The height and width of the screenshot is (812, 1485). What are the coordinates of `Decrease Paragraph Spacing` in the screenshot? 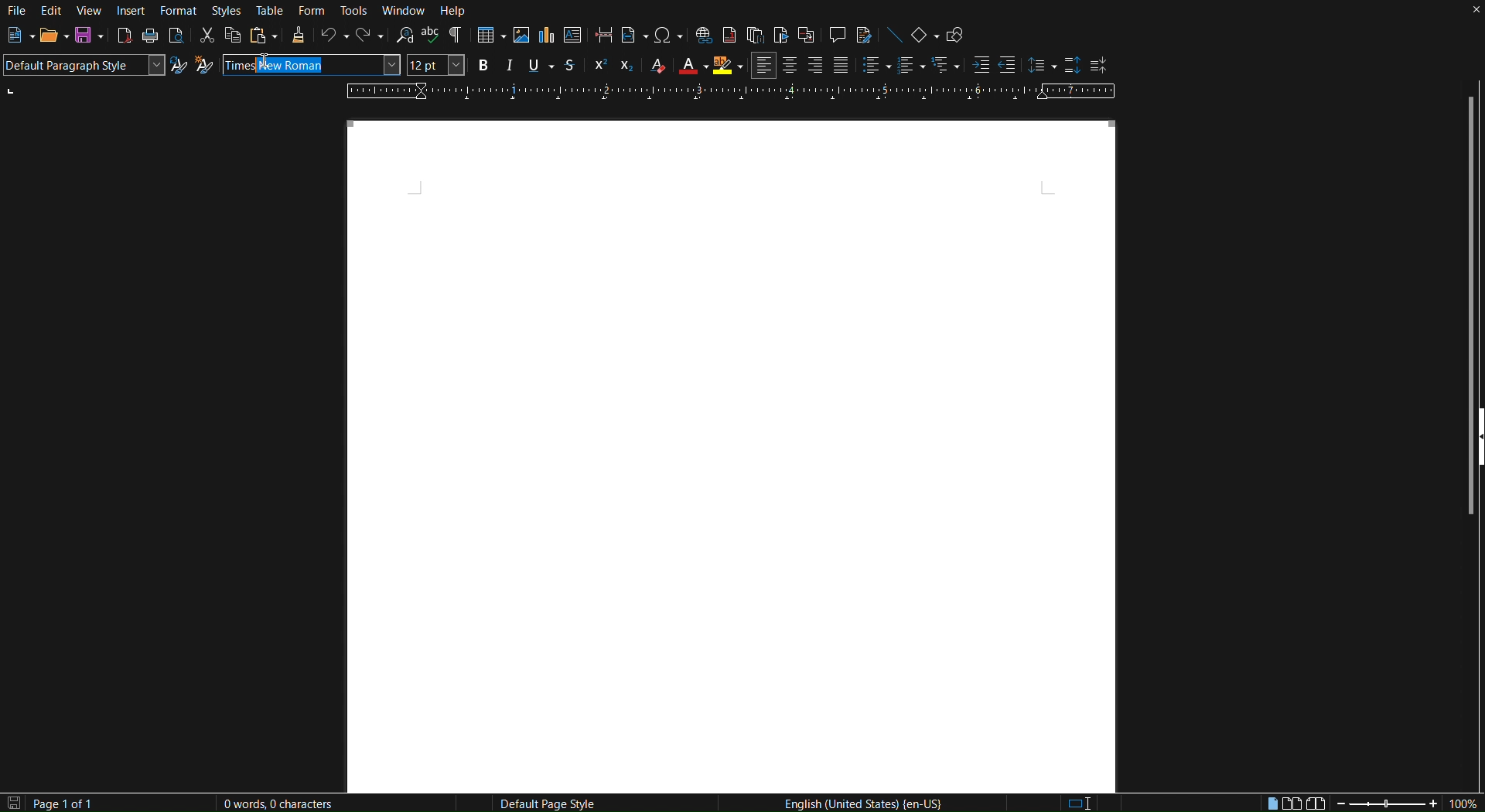 It's located at (1100, 66).